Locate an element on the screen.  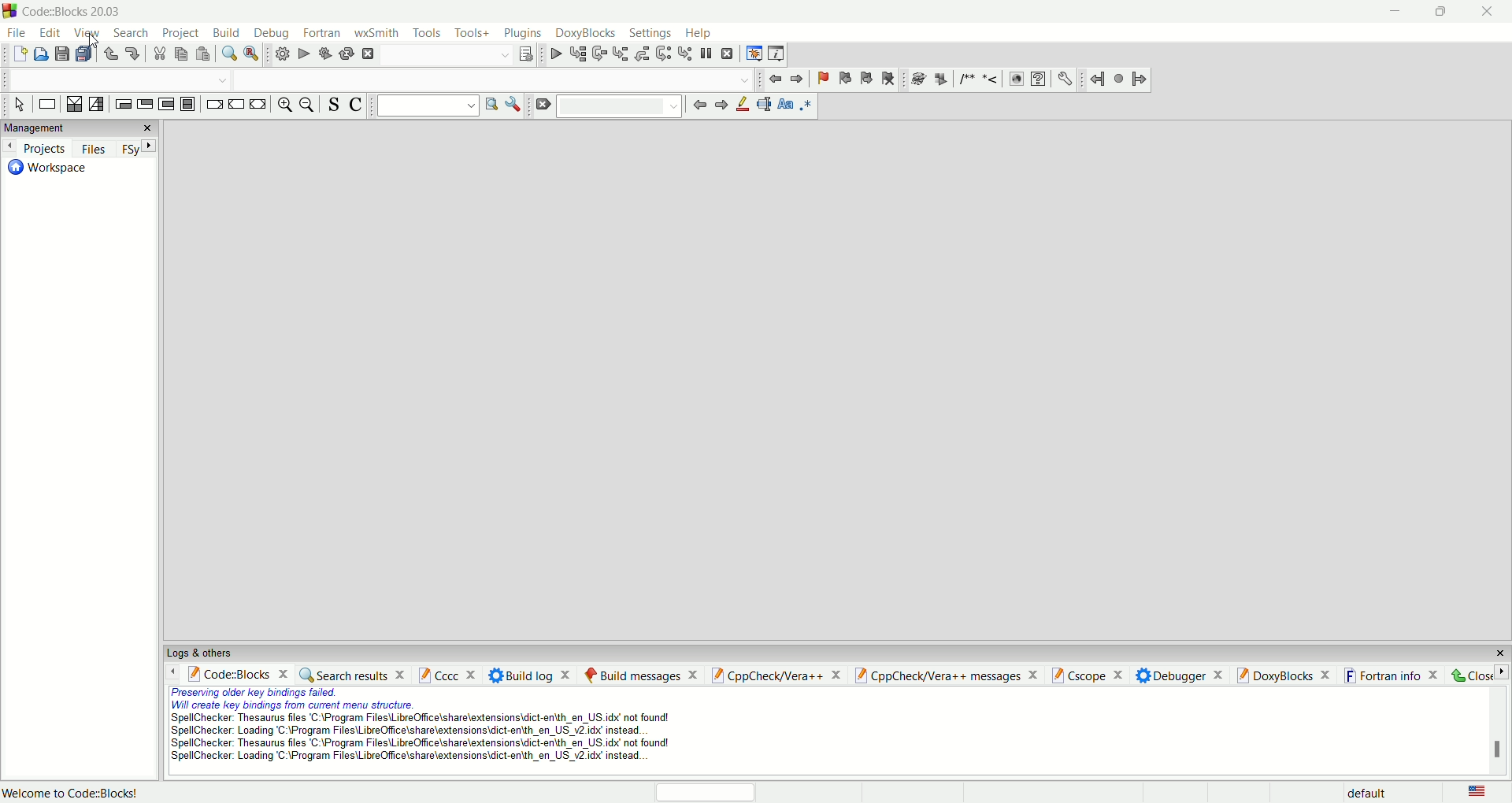
run search is located at coordinates (492, 105).